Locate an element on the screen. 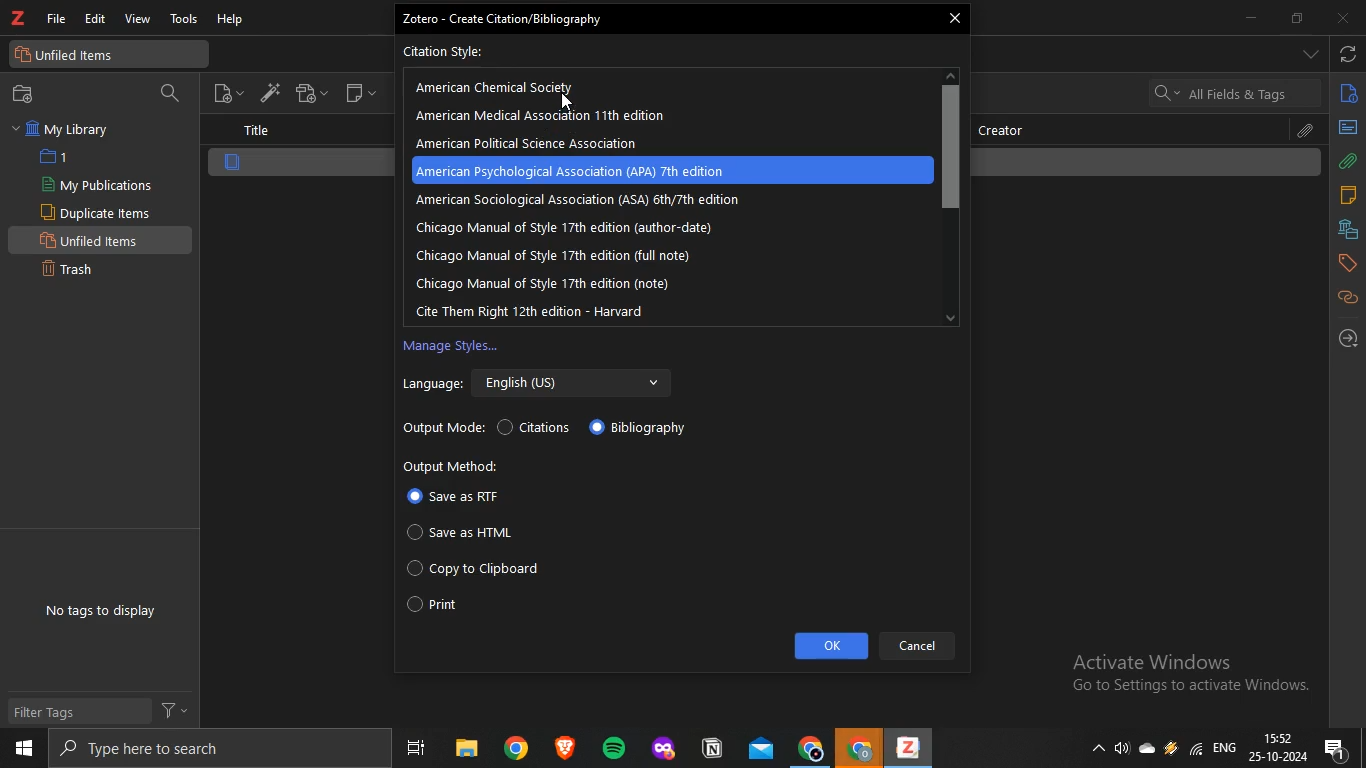 The image size is (1366, 768). sync with zotero.org is located at coordinates (1349, 52).